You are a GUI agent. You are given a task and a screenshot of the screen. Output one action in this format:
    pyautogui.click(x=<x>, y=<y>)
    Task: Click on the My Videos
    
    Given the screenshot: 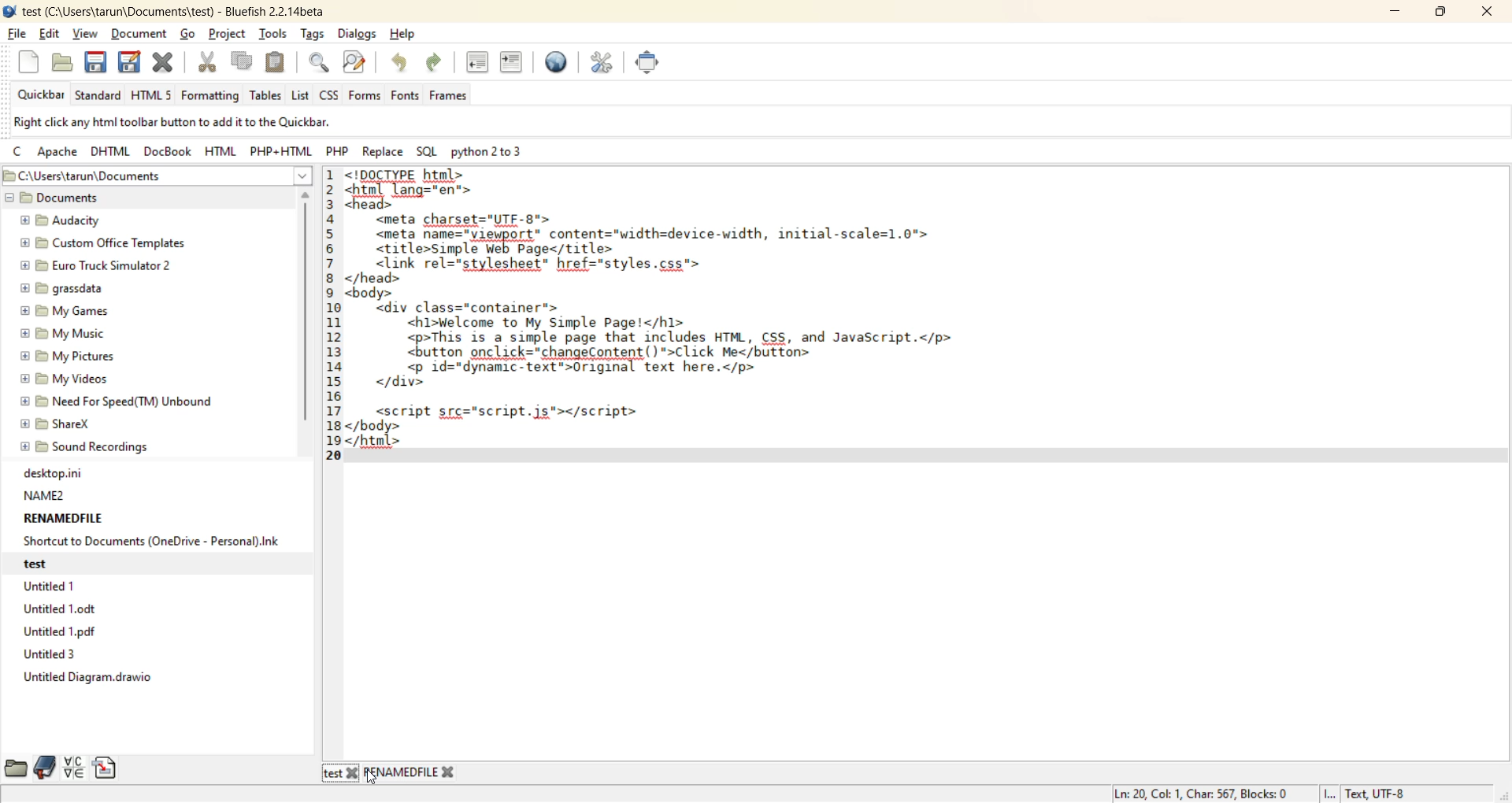 What is the action you would take?
    pyautogui.click(x=60, y=377)
    